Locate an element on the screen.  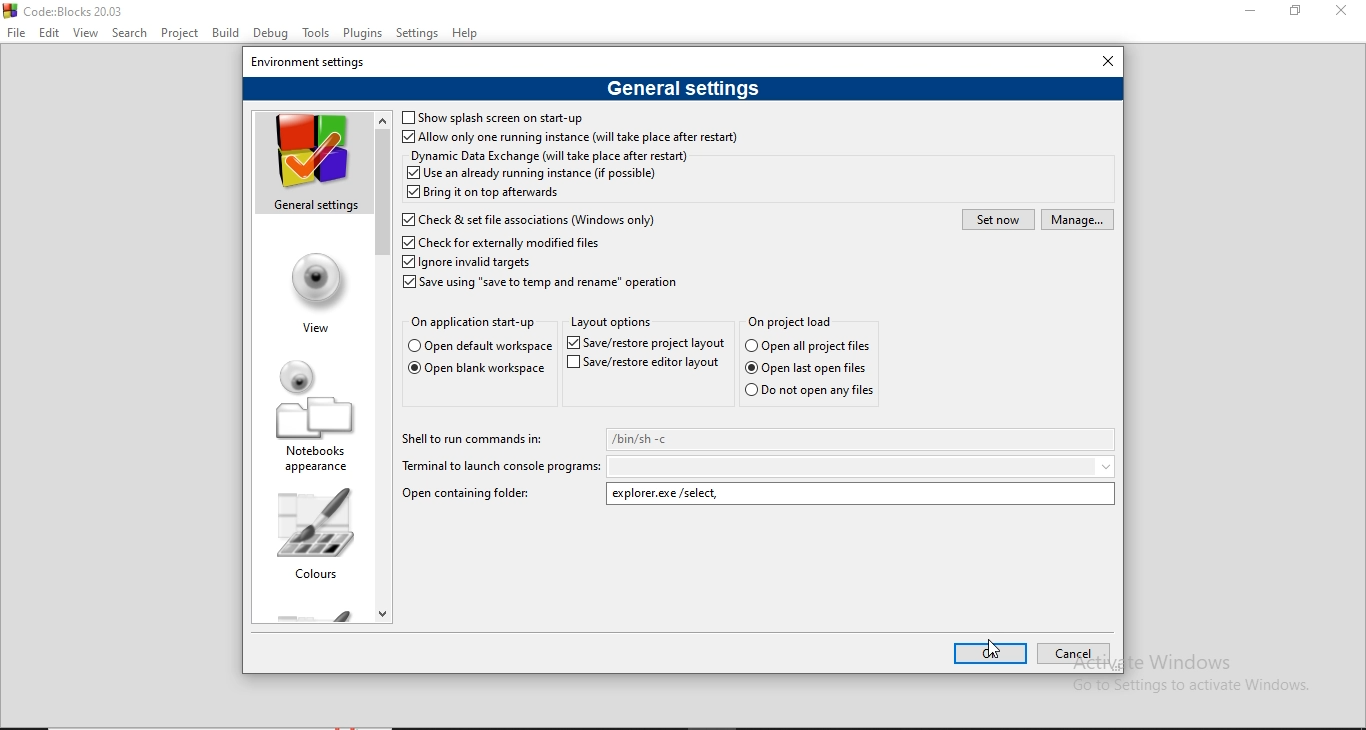
Open default workspace is located at coordinates (481, 347).